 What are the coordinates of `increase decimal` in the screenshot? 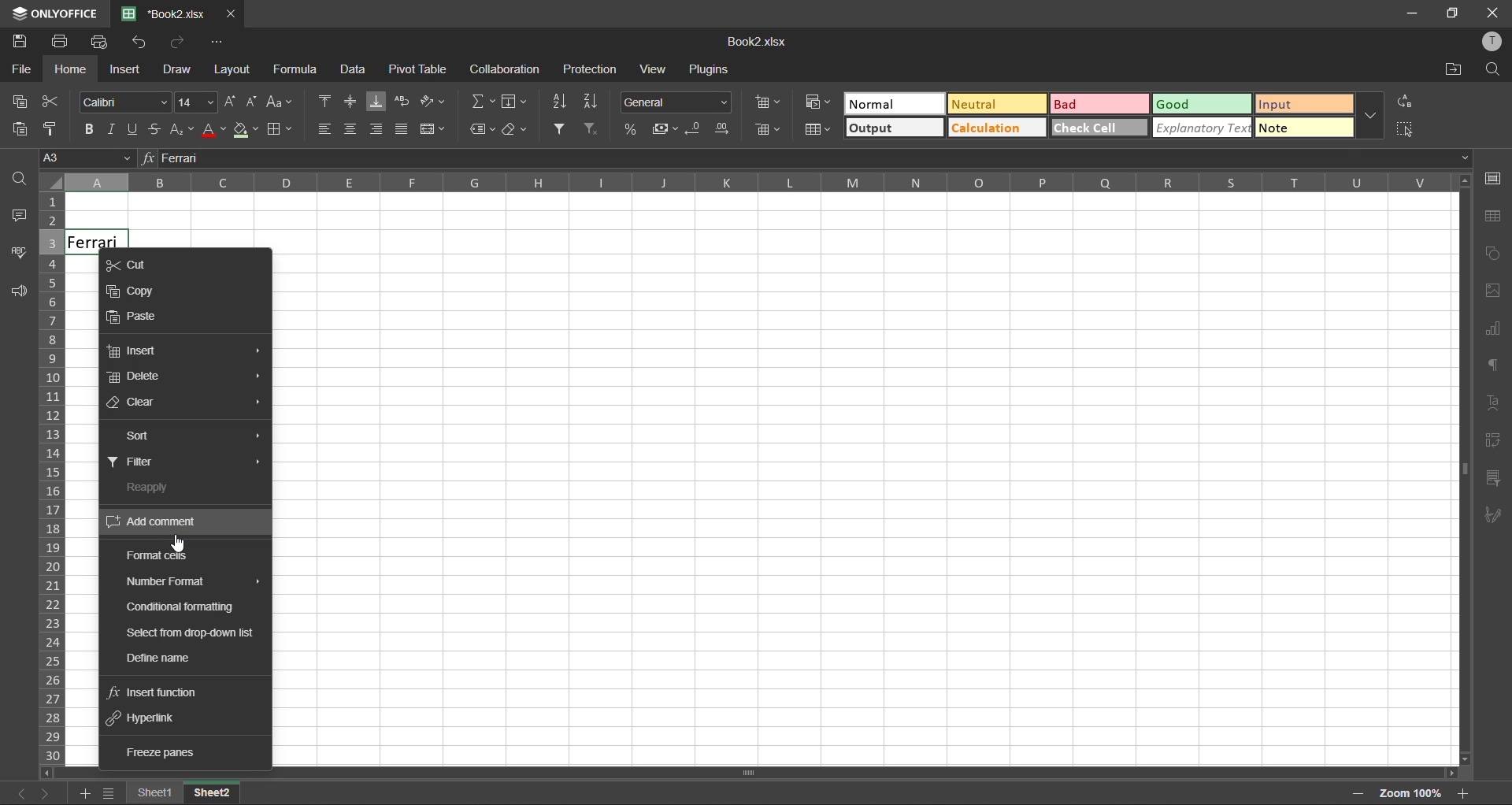 It's located at (728, 131).